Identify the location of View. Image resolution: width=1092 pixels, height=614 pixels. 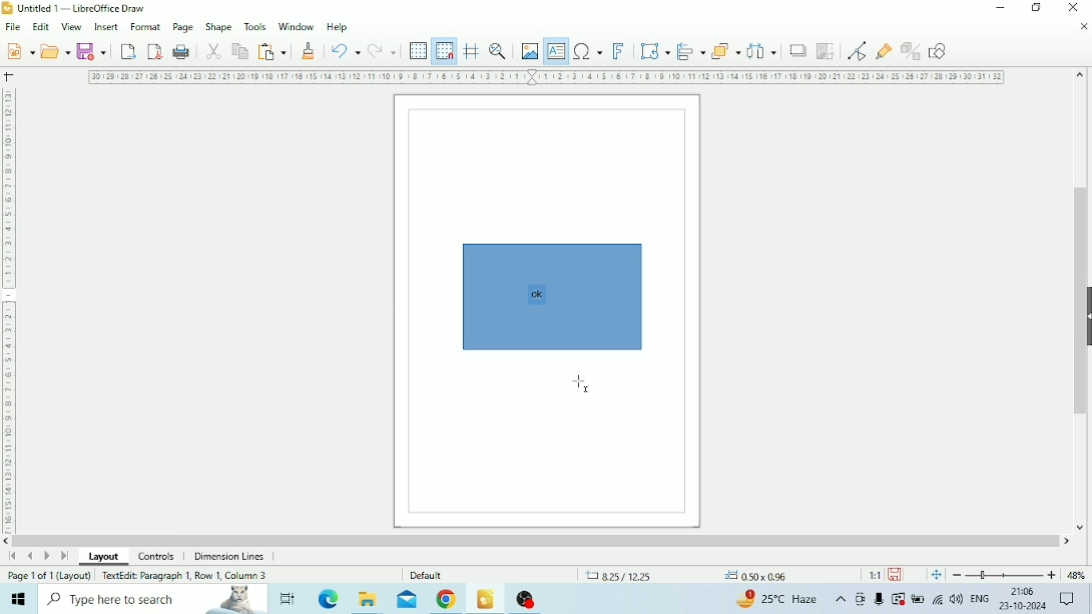
(72, 27).